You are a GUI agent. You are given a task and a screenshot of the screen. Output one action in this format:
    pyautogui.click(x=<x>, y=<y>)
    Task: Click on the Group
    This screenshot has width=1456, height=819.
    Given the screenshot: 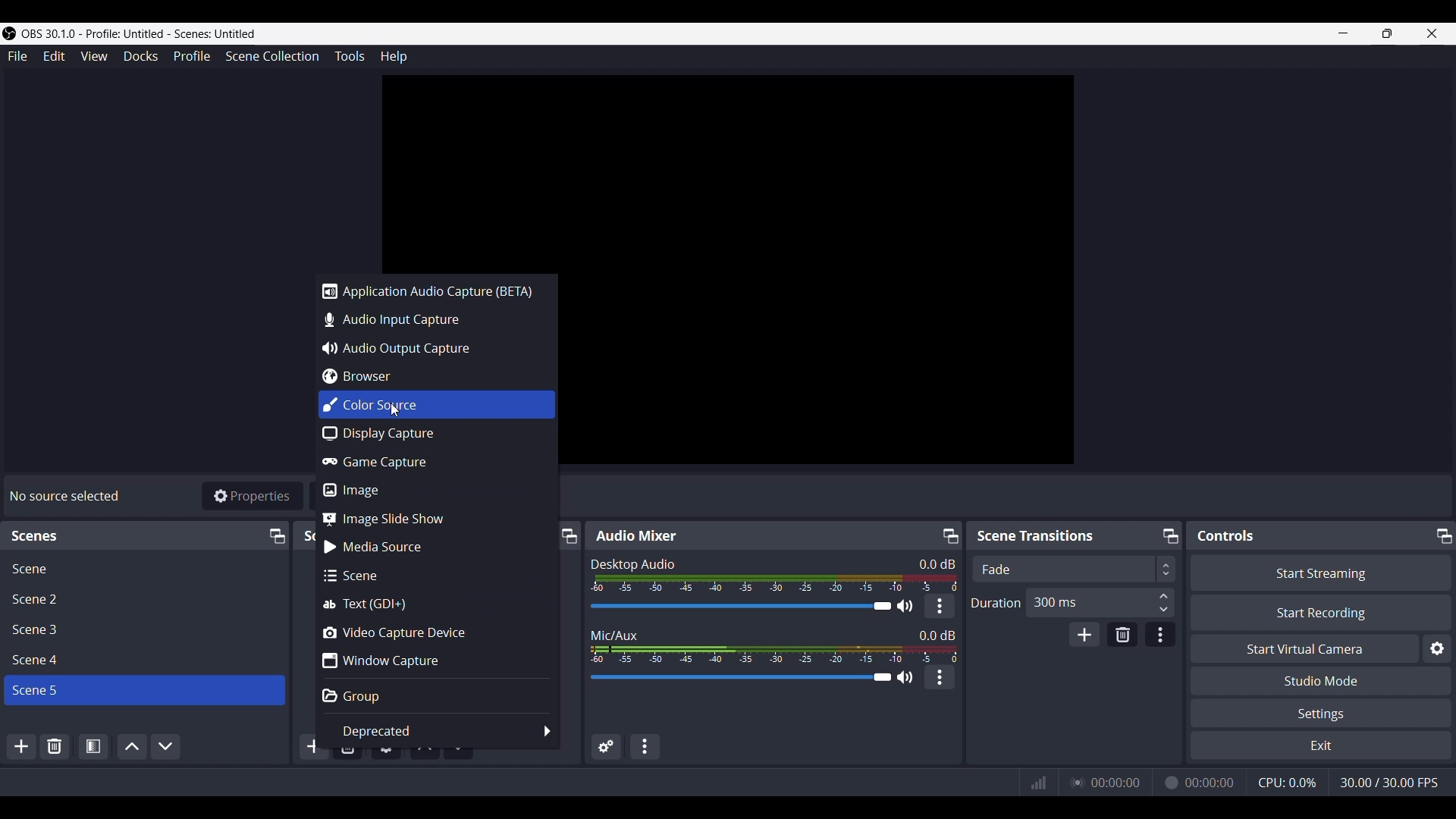 What is the action you would take?
    pyautogui.click(x=435, y=697)
    